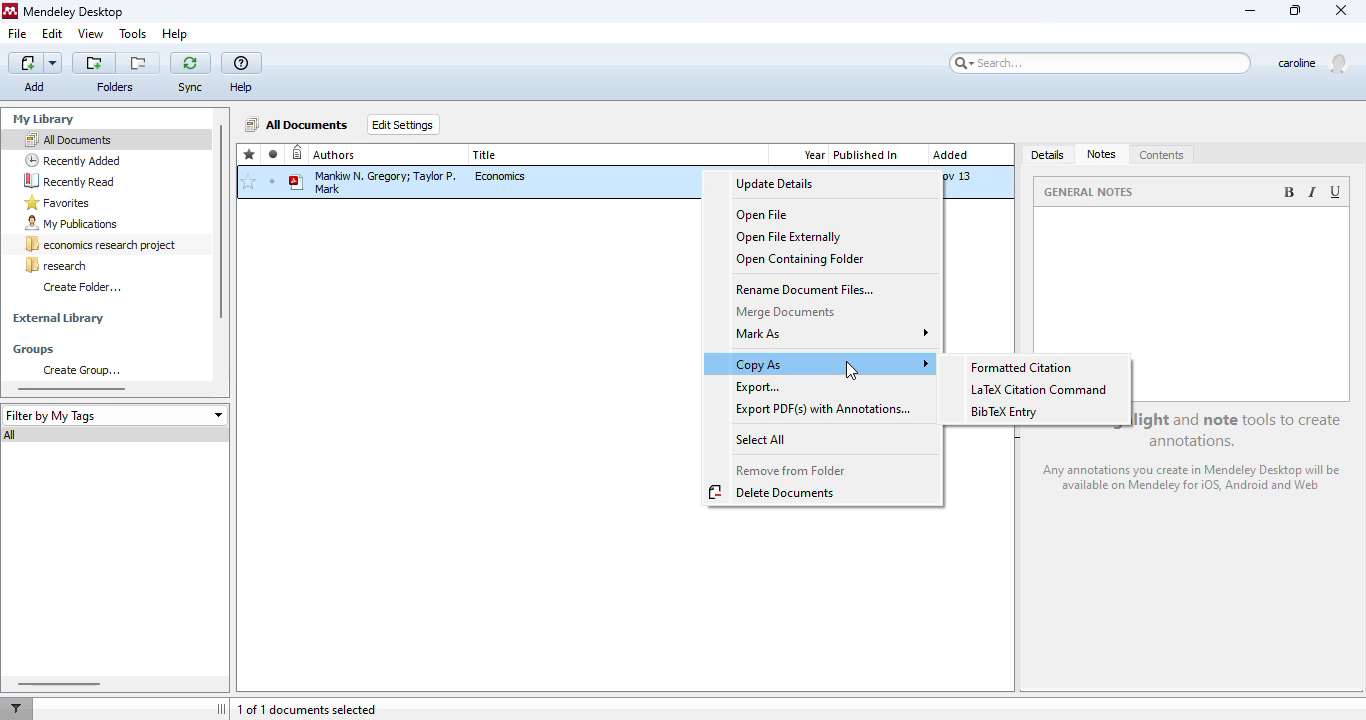 This screenshot has width=1366, height=720. What do you see at coordinates (34, 350) in the screenshot?
I see `groups` at bounding box center [34, 350].